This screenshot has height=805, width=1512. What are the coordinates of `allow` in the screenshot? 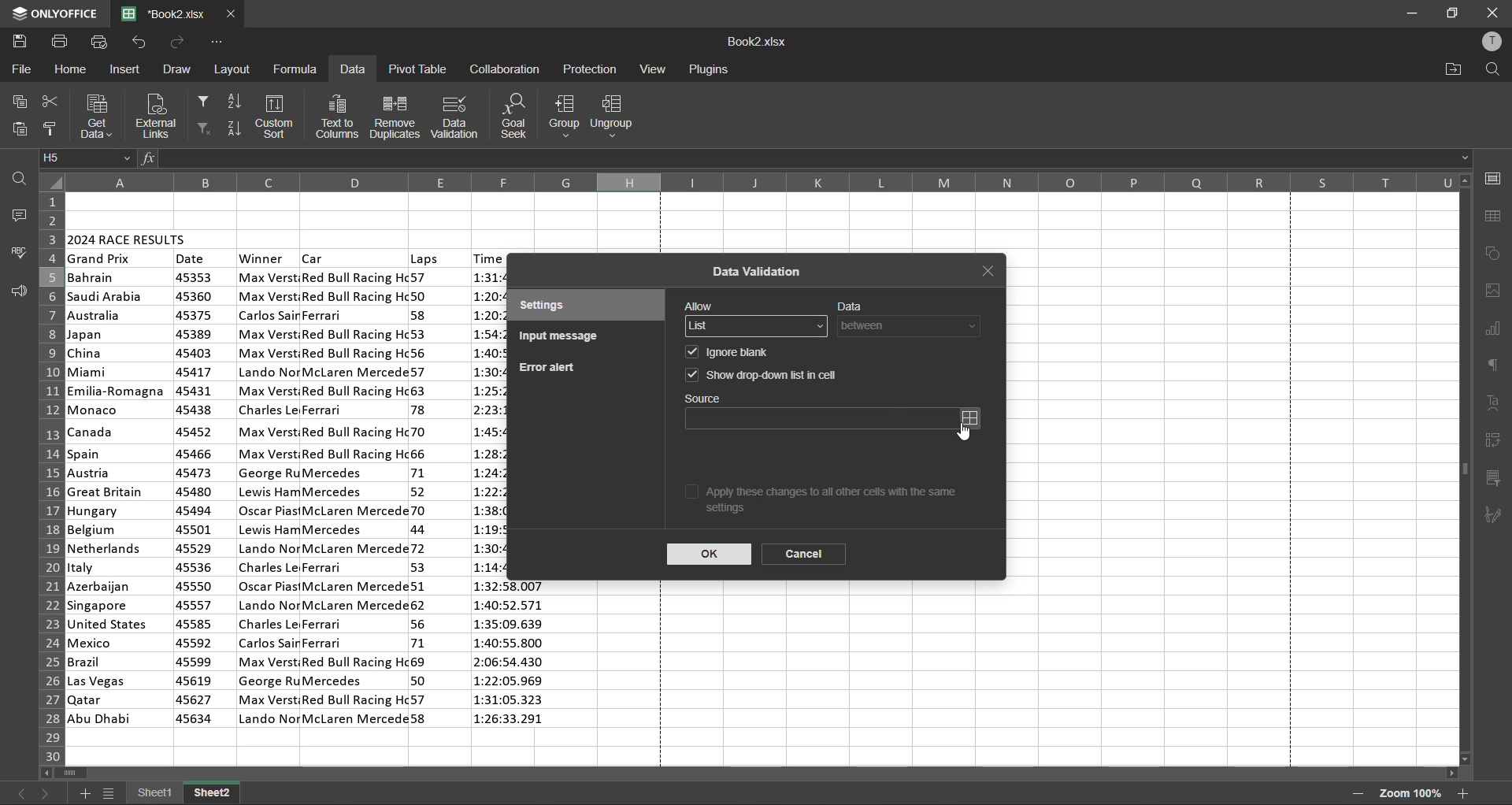 It's located at (758, 327).